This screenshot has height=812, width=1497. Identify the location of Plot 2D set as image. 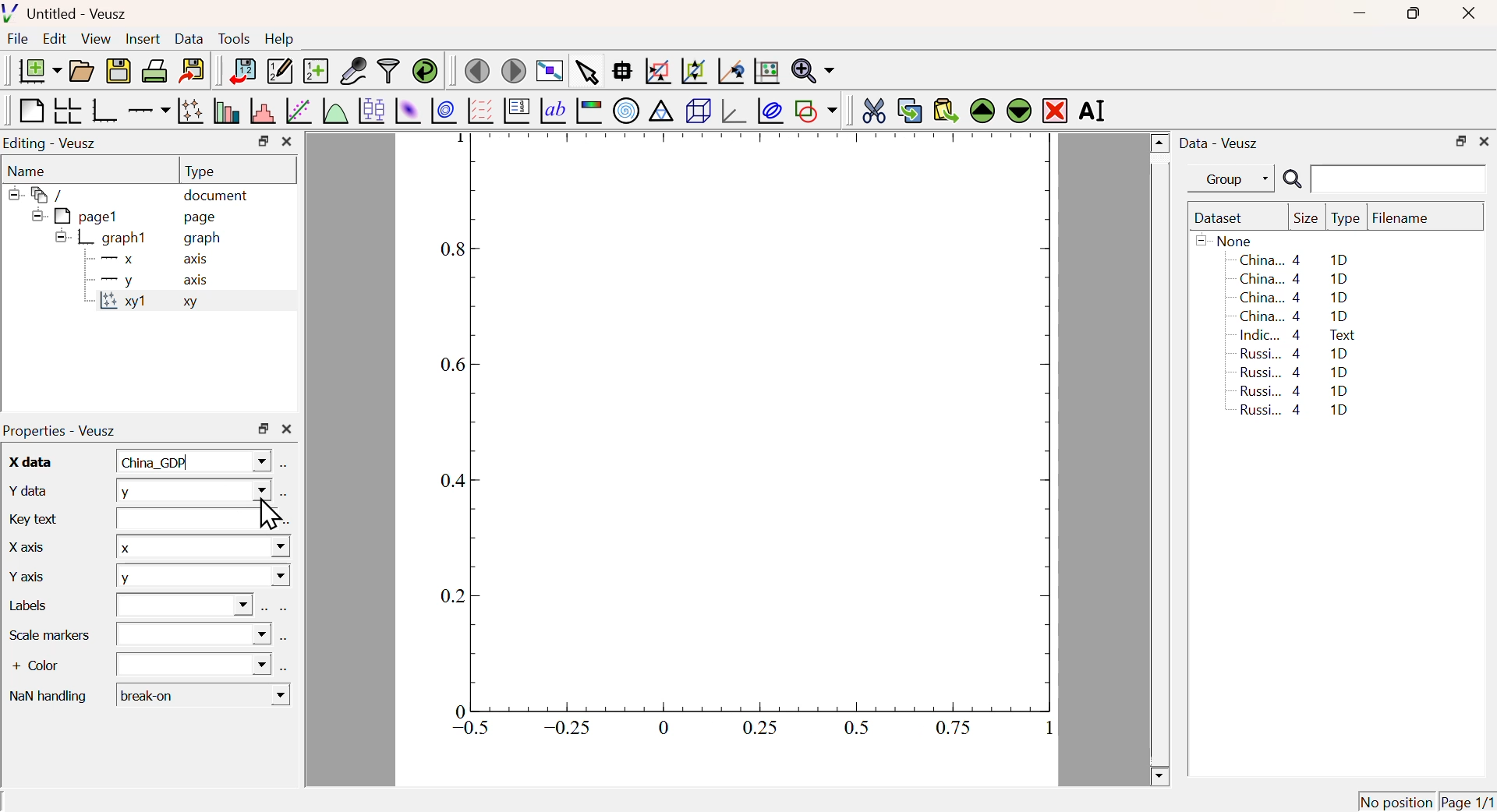
(407, 111).